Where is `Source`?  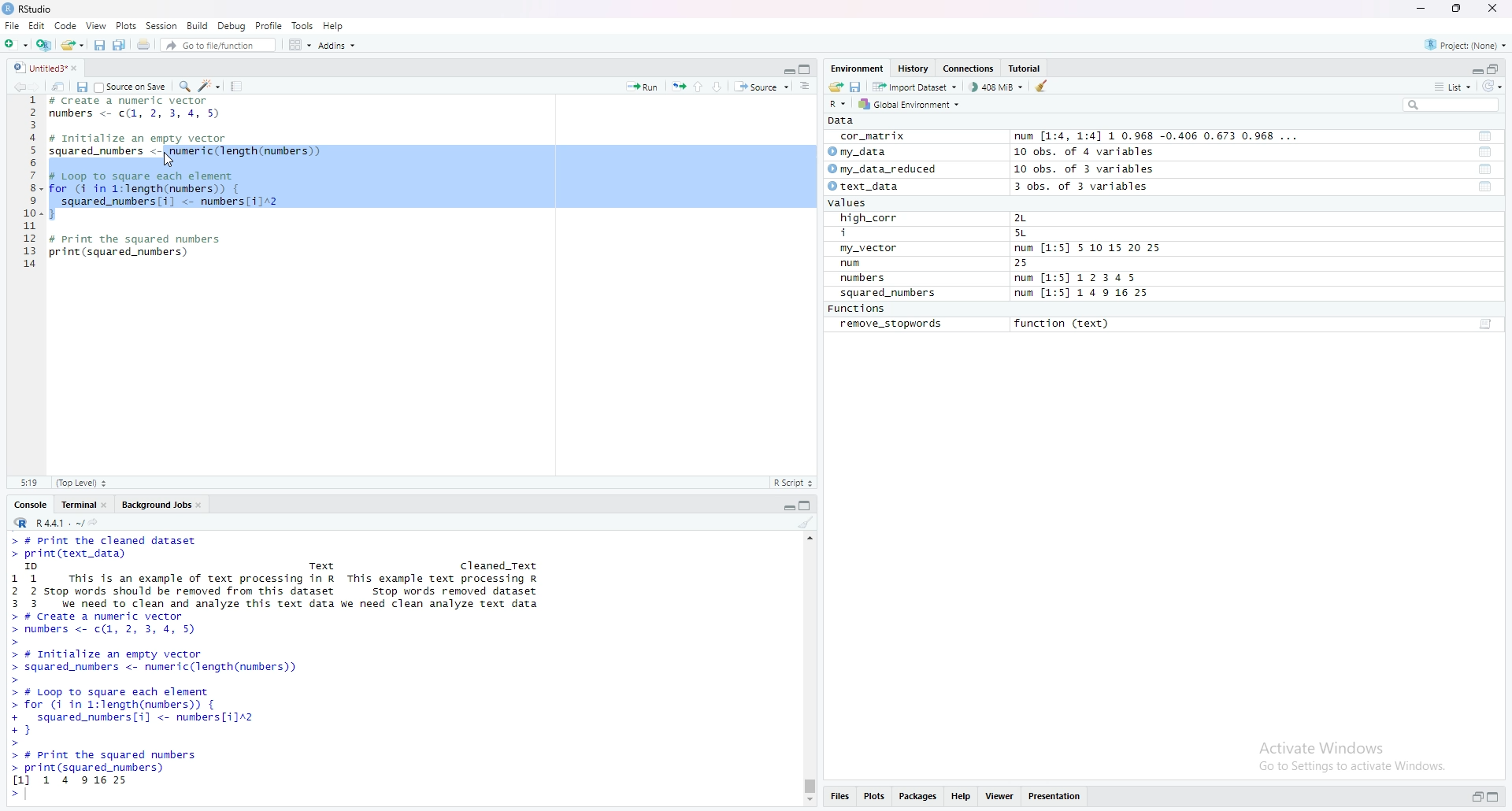 Source is located at coordinates (762, 86).